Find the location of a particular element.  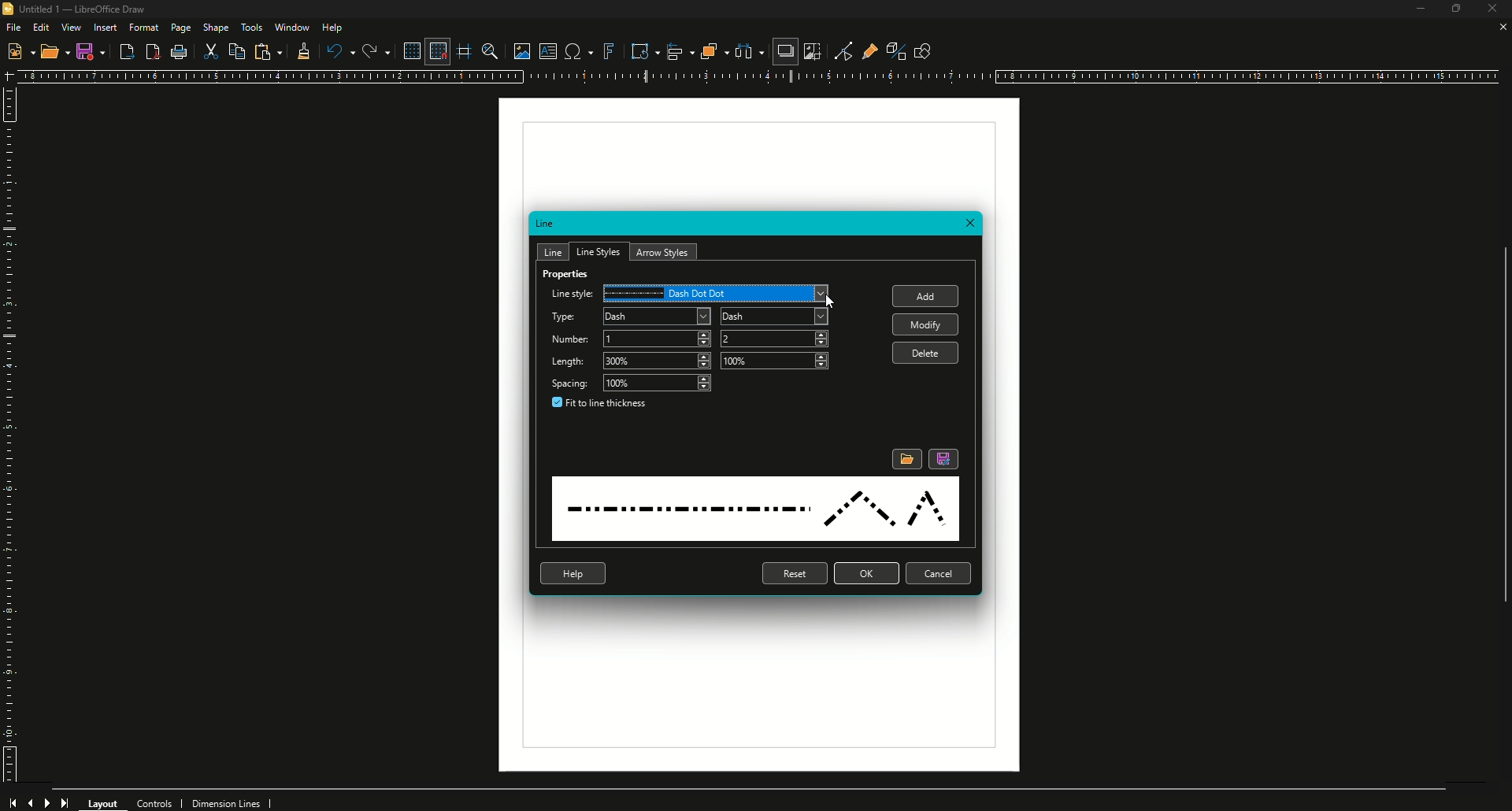

Open is located at coordinates (55, 54).